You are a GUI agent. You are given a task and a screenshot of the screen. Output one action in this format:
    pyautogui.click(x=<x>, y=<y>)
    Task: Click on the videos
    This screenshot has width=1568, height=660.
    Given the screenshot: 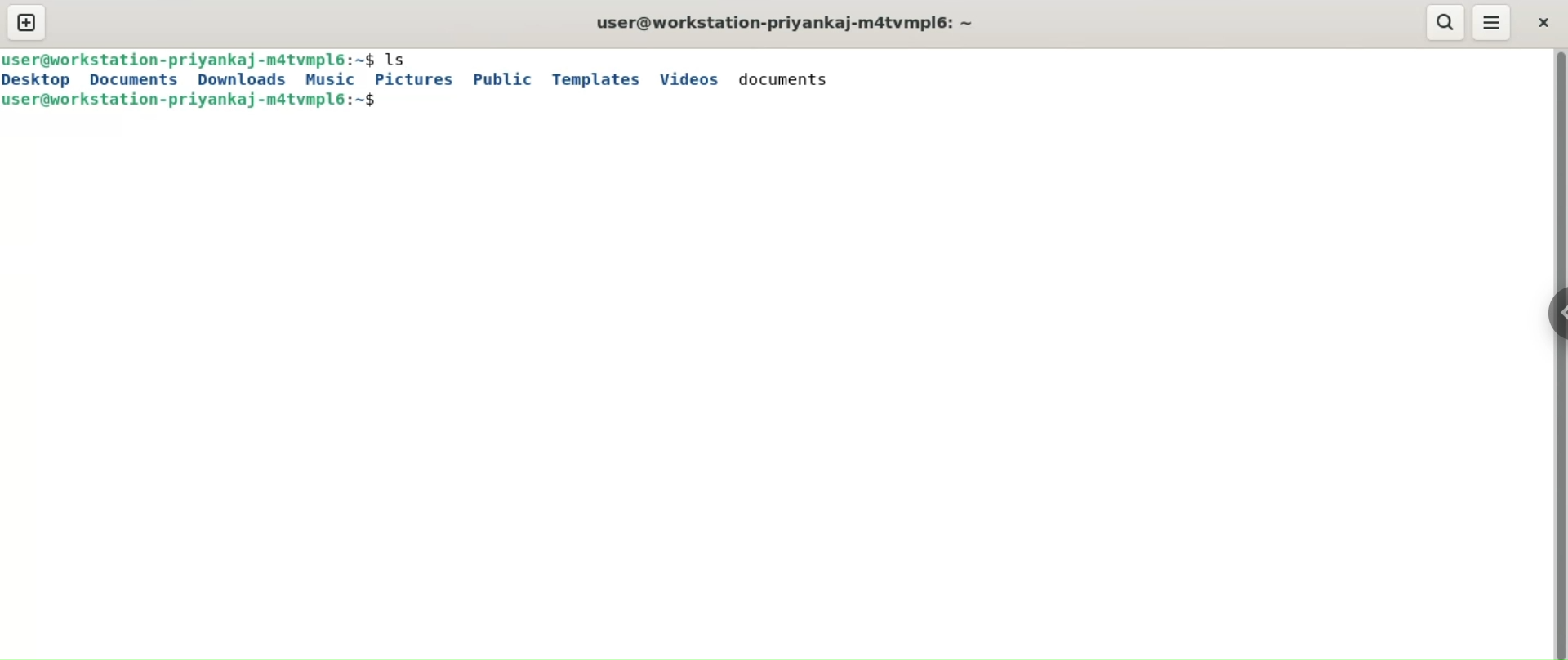 What is the action you would take?
    pyautogui.click(x=693, y=78)
    